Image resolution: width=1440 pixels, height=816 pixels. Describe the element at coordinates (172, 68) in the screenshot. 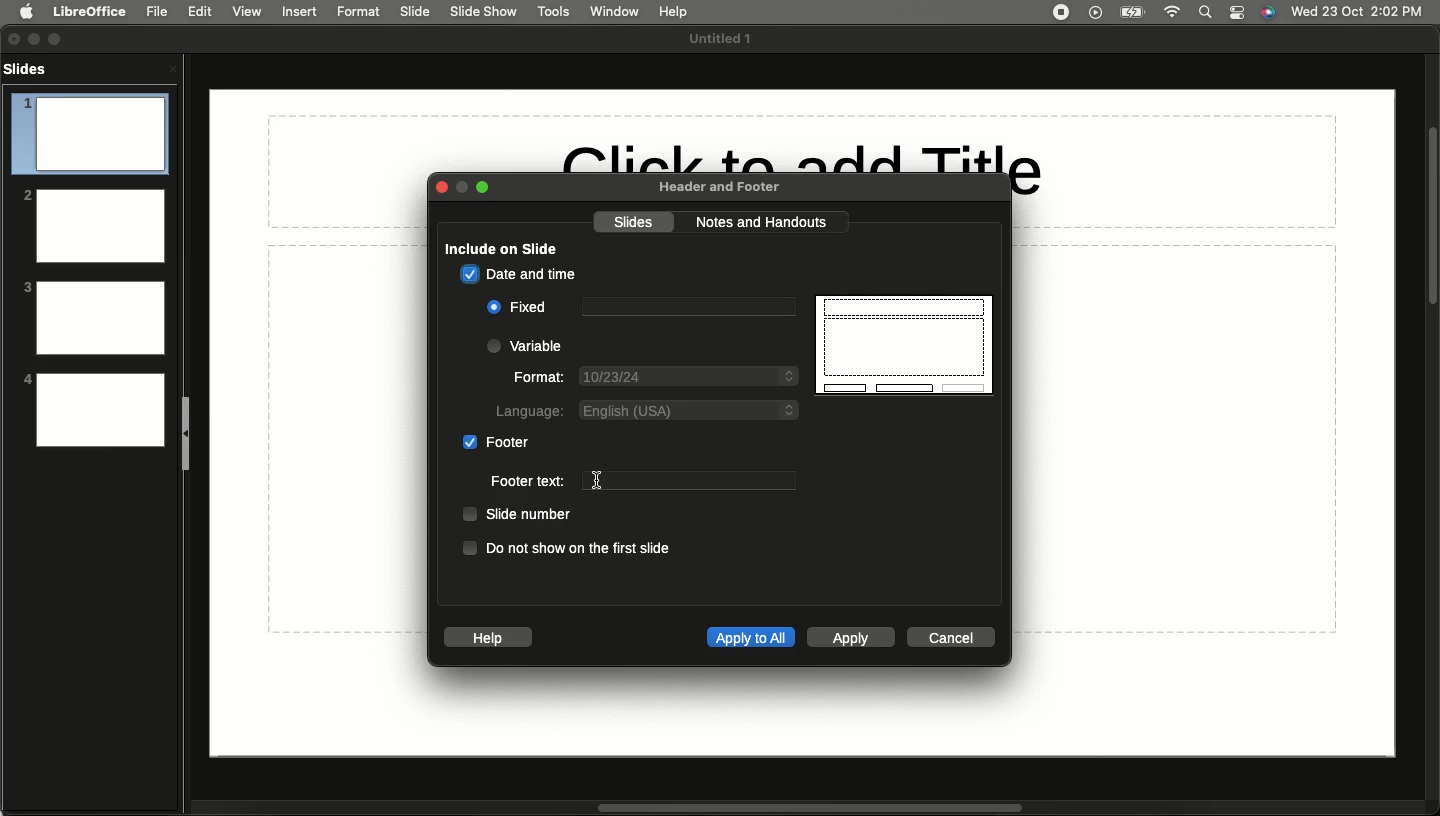

I see `Close` at that location.